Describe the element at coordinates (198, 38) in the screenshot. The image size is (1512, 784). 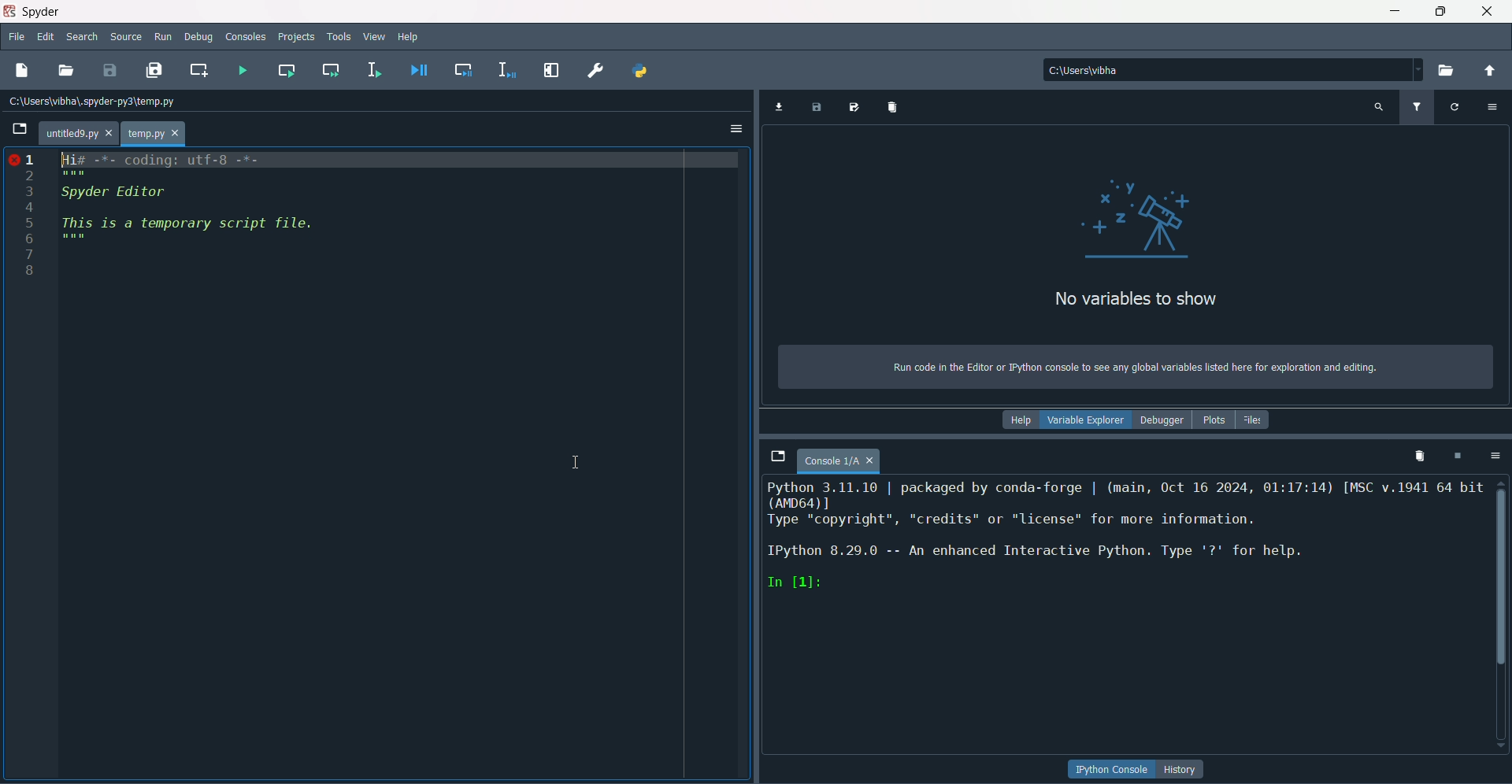
I see `debug` at that location.